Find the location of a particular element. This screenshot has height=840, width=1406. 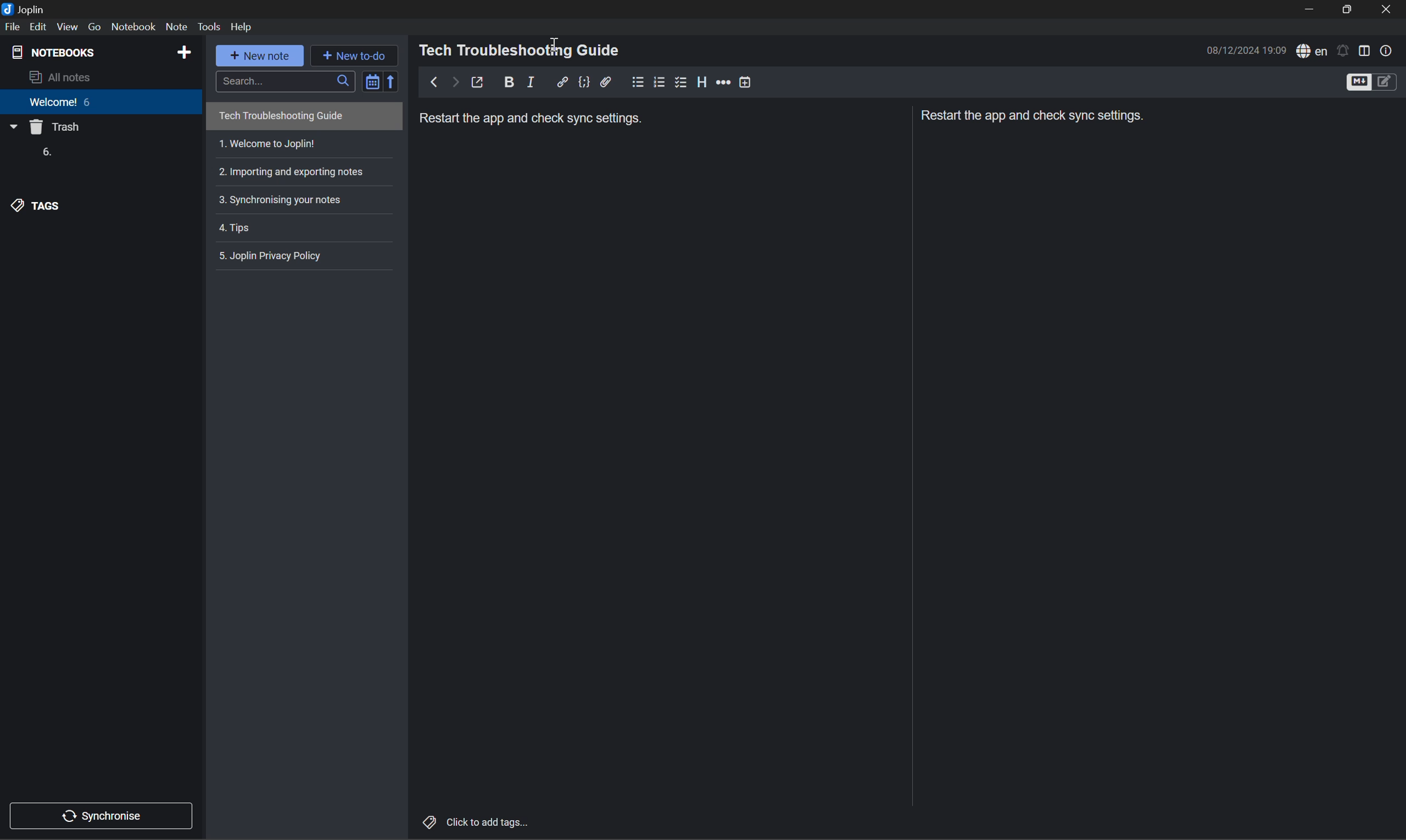

Add notebook is located at coordinates (184, 51).